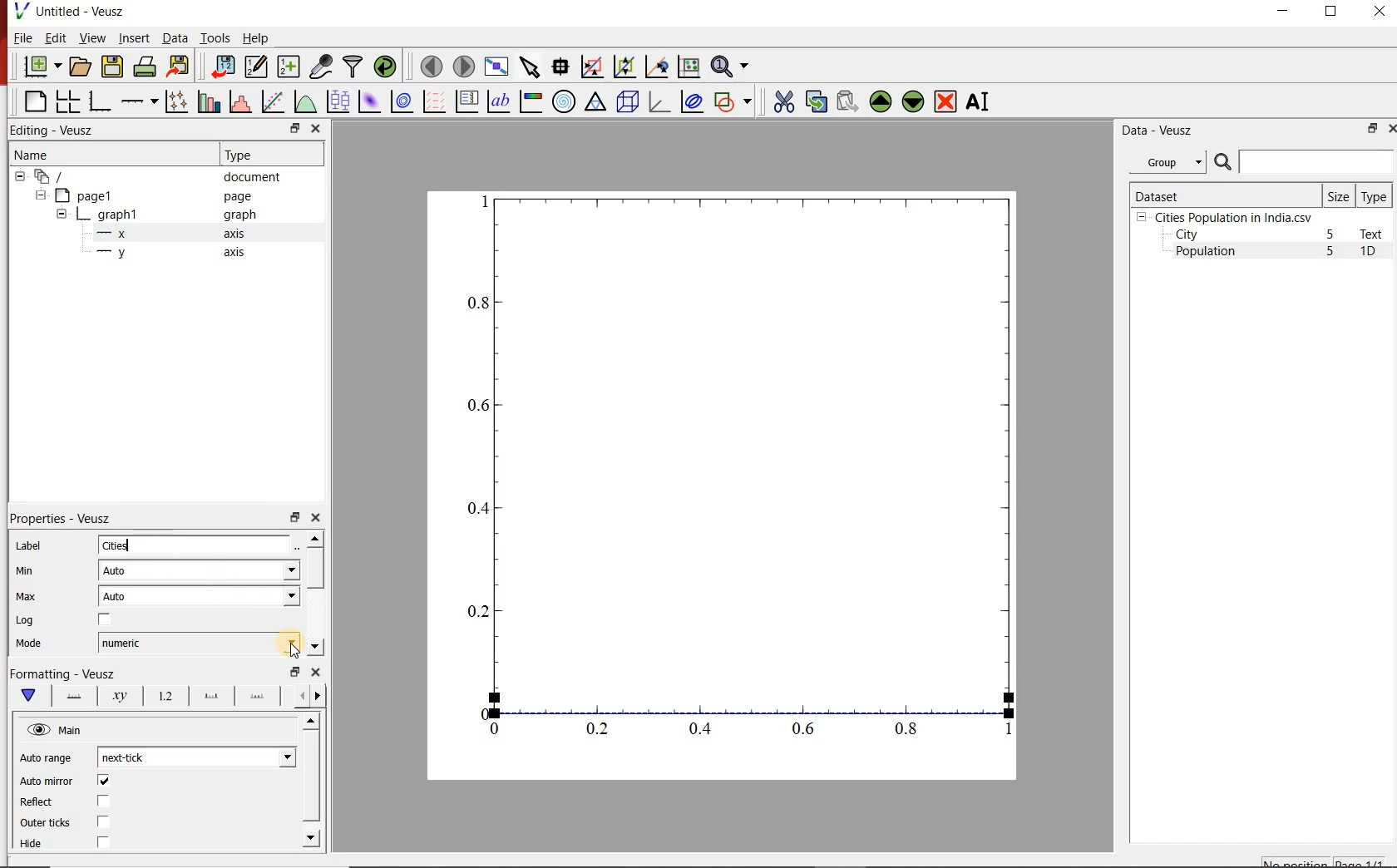 Image resolution: width=1397 pixels, height=868 pixels. What do you see at coordinates (847, 101) in the screenshot?
I see `paste widget from the clipboard` at bounding box center [847, 101].